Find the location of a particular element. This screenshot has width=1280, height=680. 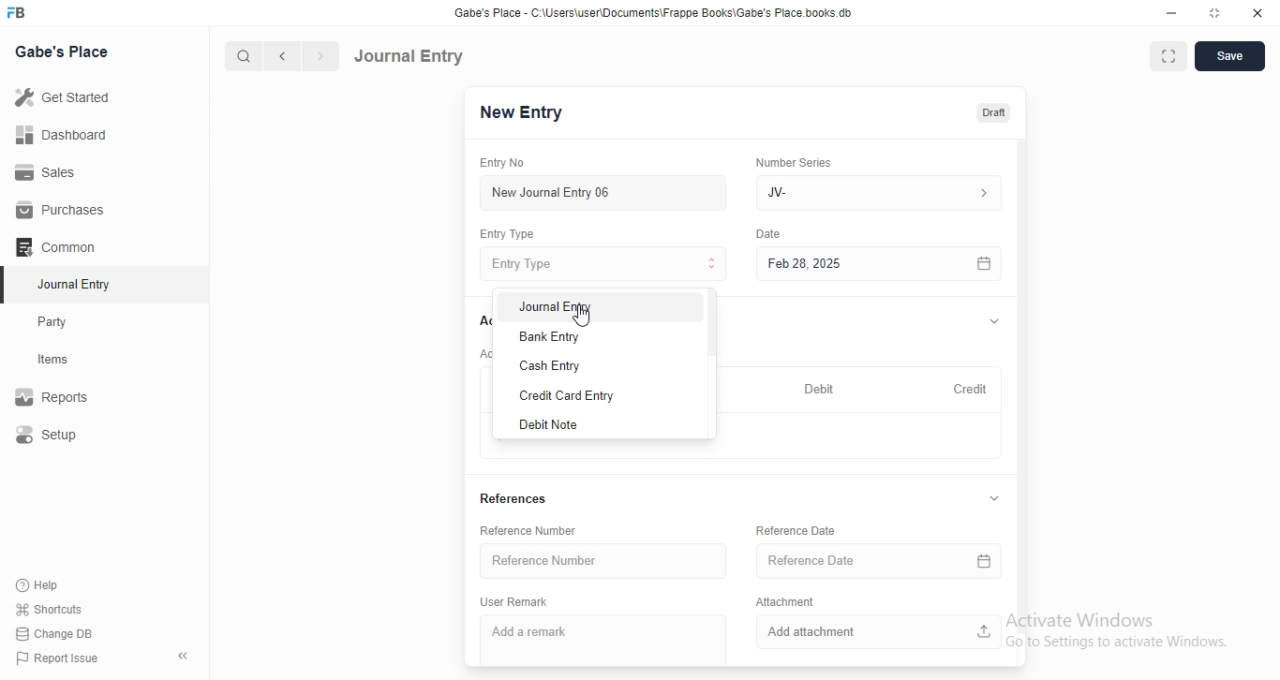

Feb 28, 2025 is located at coordinates (860, 263).